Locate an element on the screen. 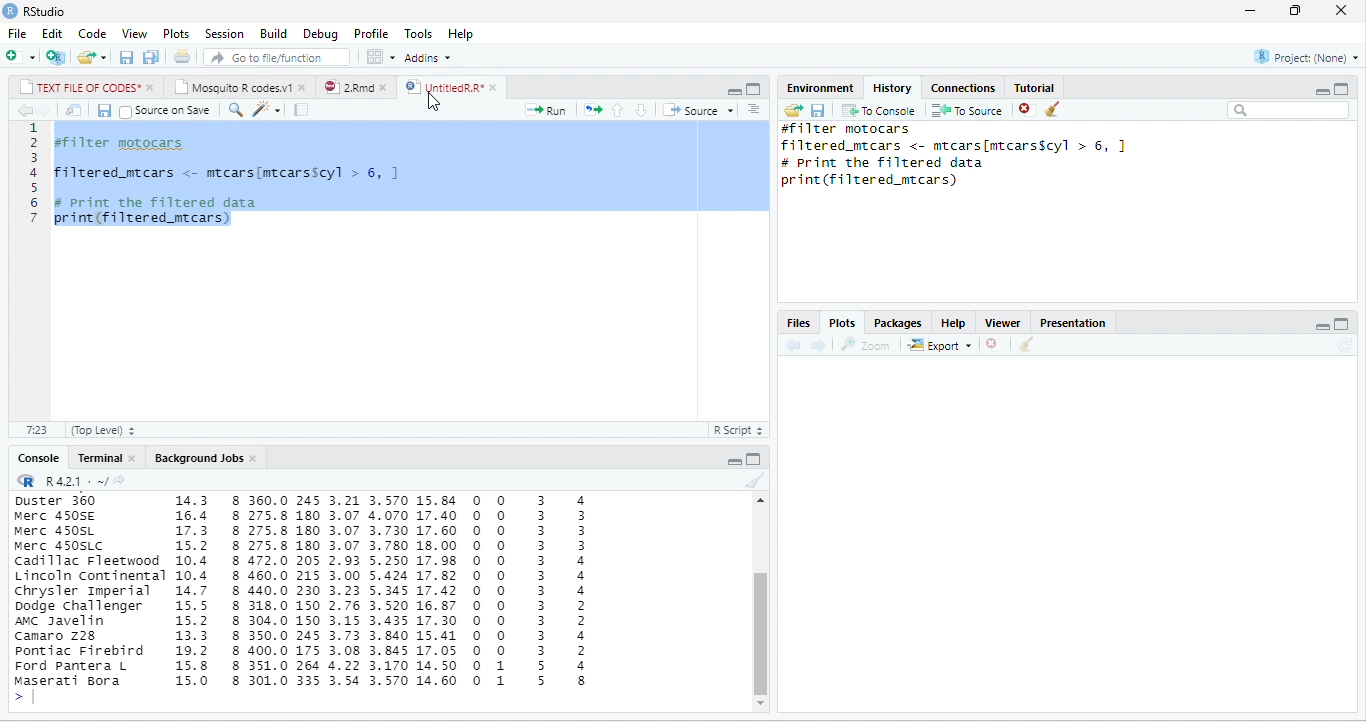 The width and height of the screenshot is (1366, 722). Help is located at coordinates (460, 34).